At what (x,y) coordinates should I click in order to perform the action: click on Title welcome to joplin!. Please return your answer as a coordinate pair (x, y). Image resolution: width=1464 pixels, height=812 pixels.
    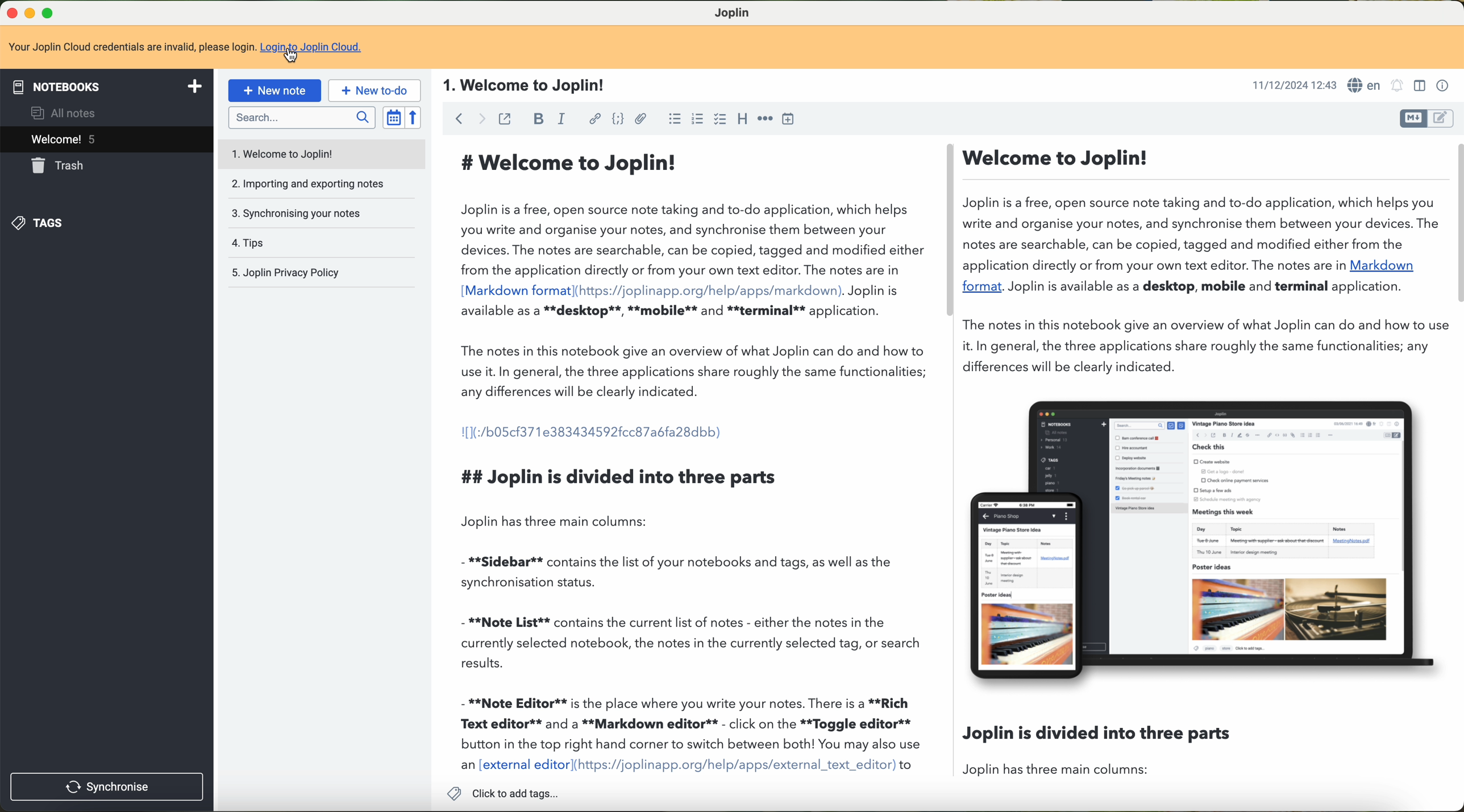
    Looking at the image, I should click on (519, 84).